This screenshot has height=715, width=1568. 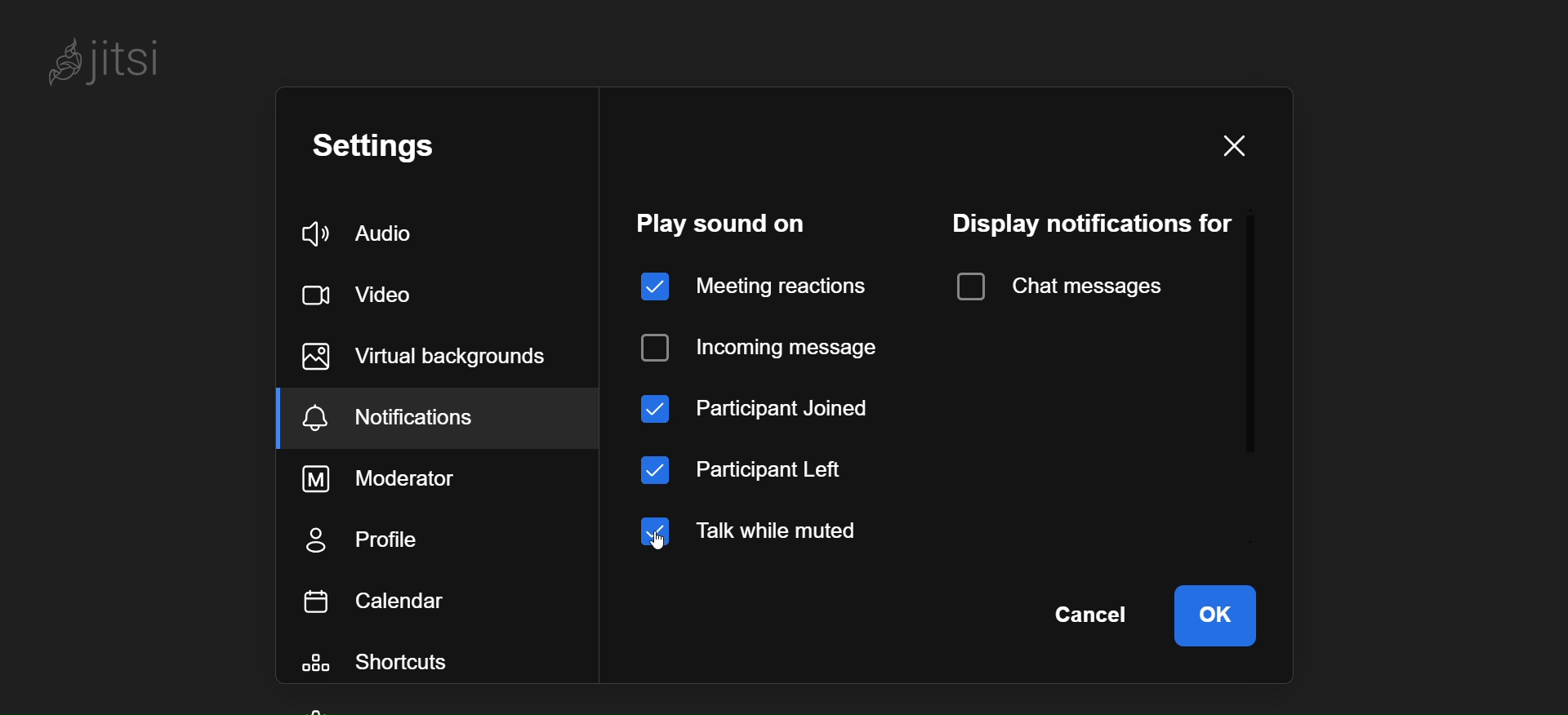 I want to click on virtual background, so click(x=426, y=359).